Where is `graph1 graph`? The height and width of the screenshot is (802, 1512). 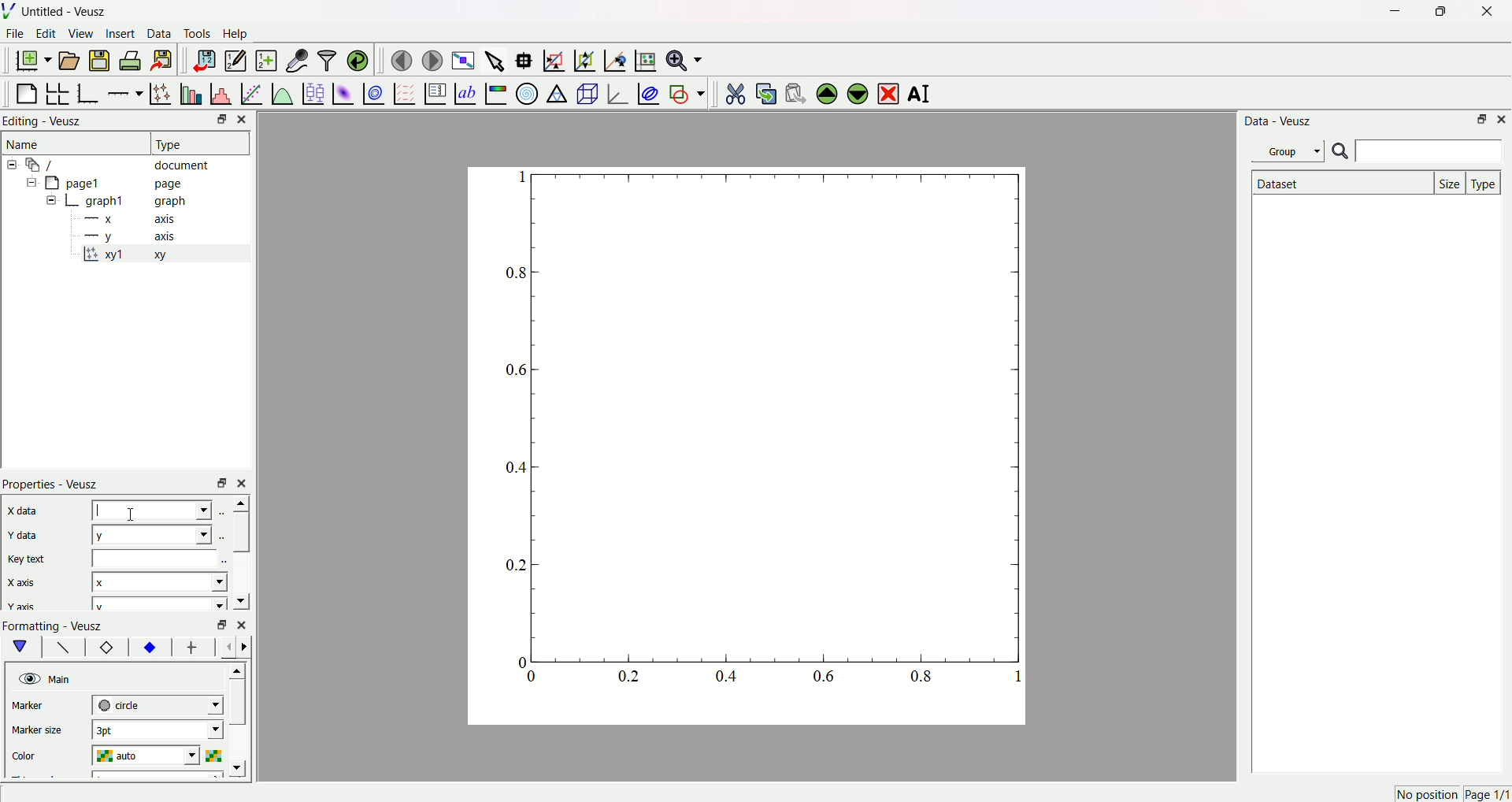 graph1 graph is located at coordinates (137, 202).